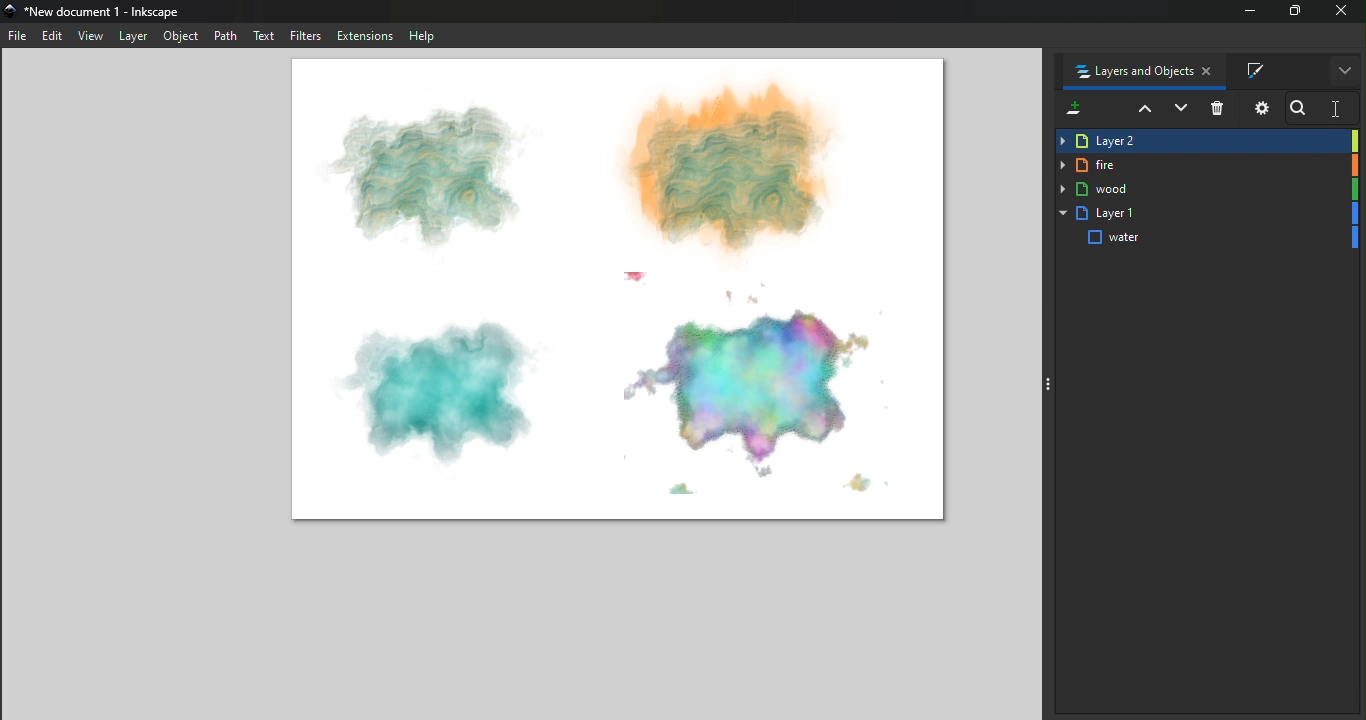  Describe the element at coordinates (1180, 110) in the screenshot. I see `Lower selection one step` at that location.